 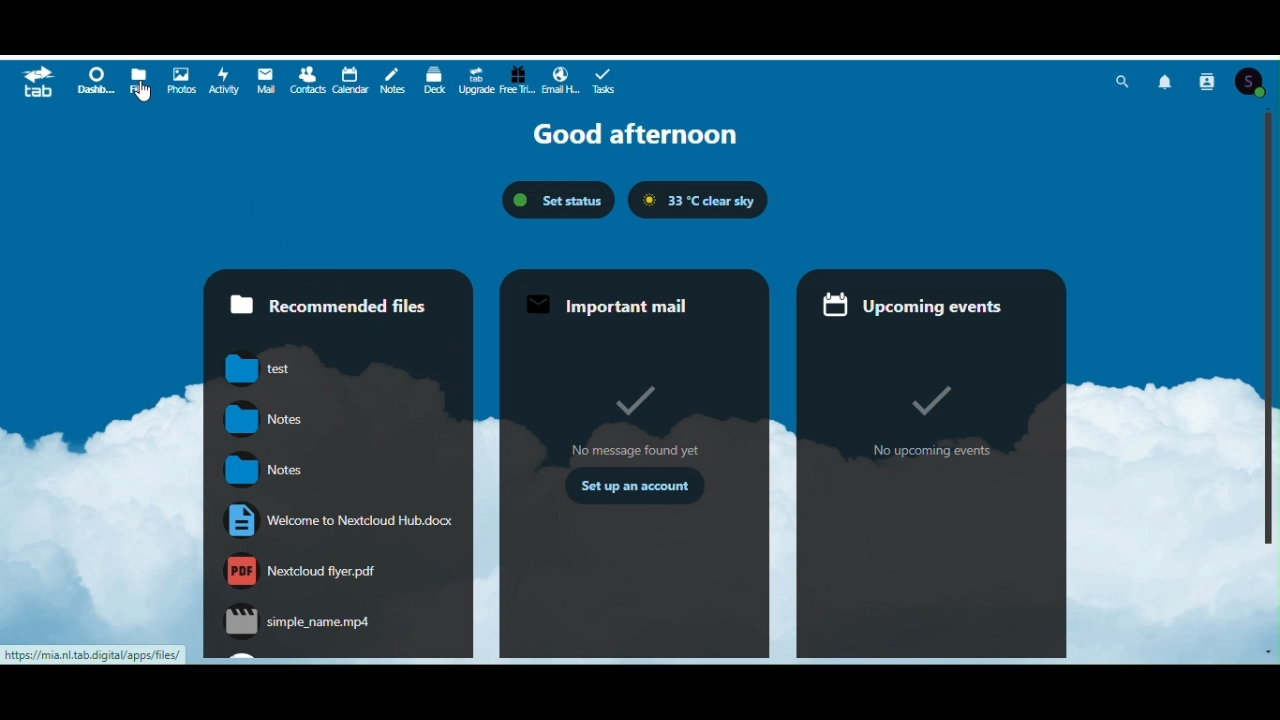 I want to click on test, so click(x=261, y=369).